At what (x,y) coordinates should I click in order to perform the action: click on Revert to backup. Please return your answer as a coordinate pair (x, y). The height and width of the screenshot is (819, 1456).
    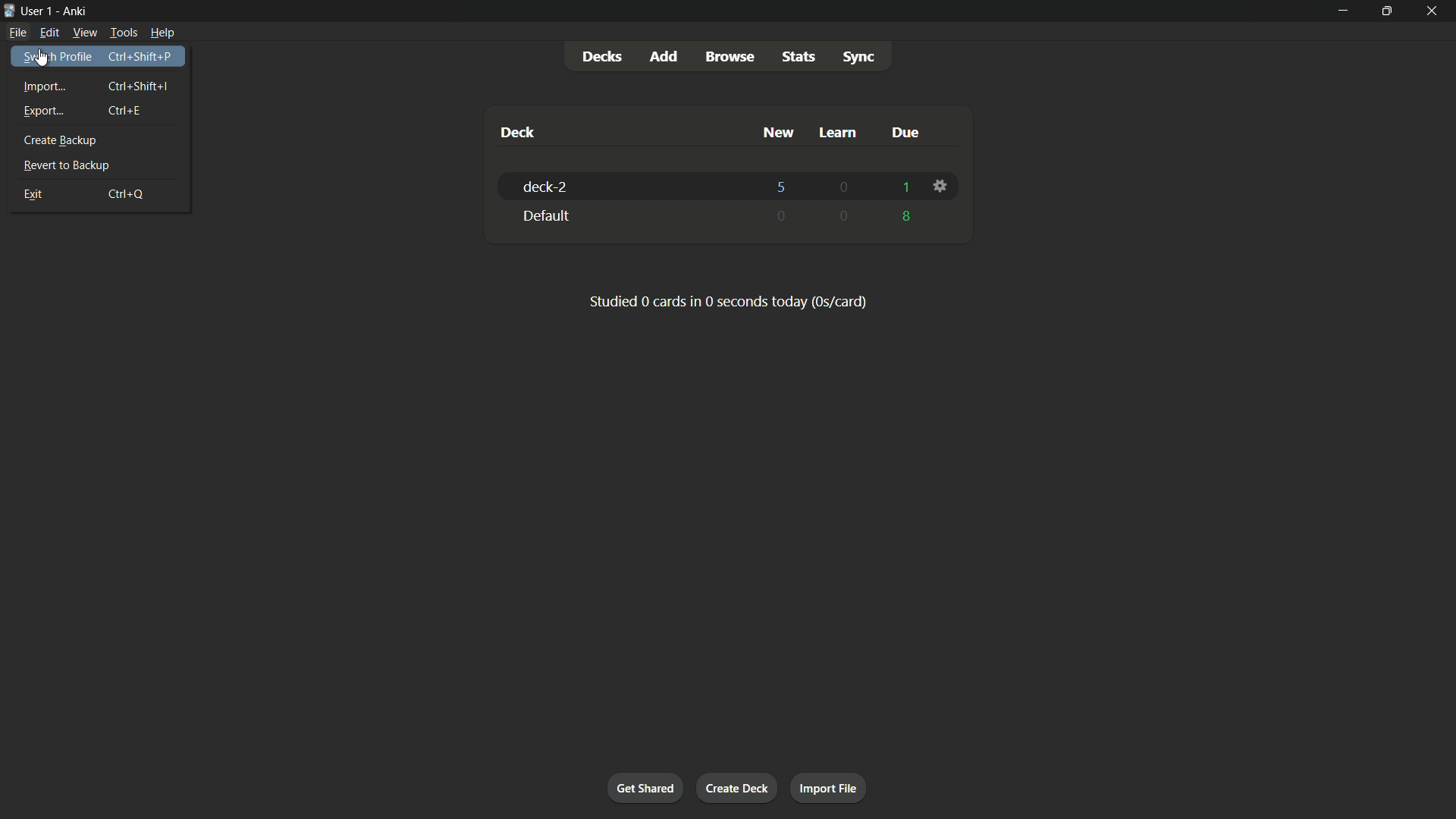
    Looking at the image, I should click on (99, 165).